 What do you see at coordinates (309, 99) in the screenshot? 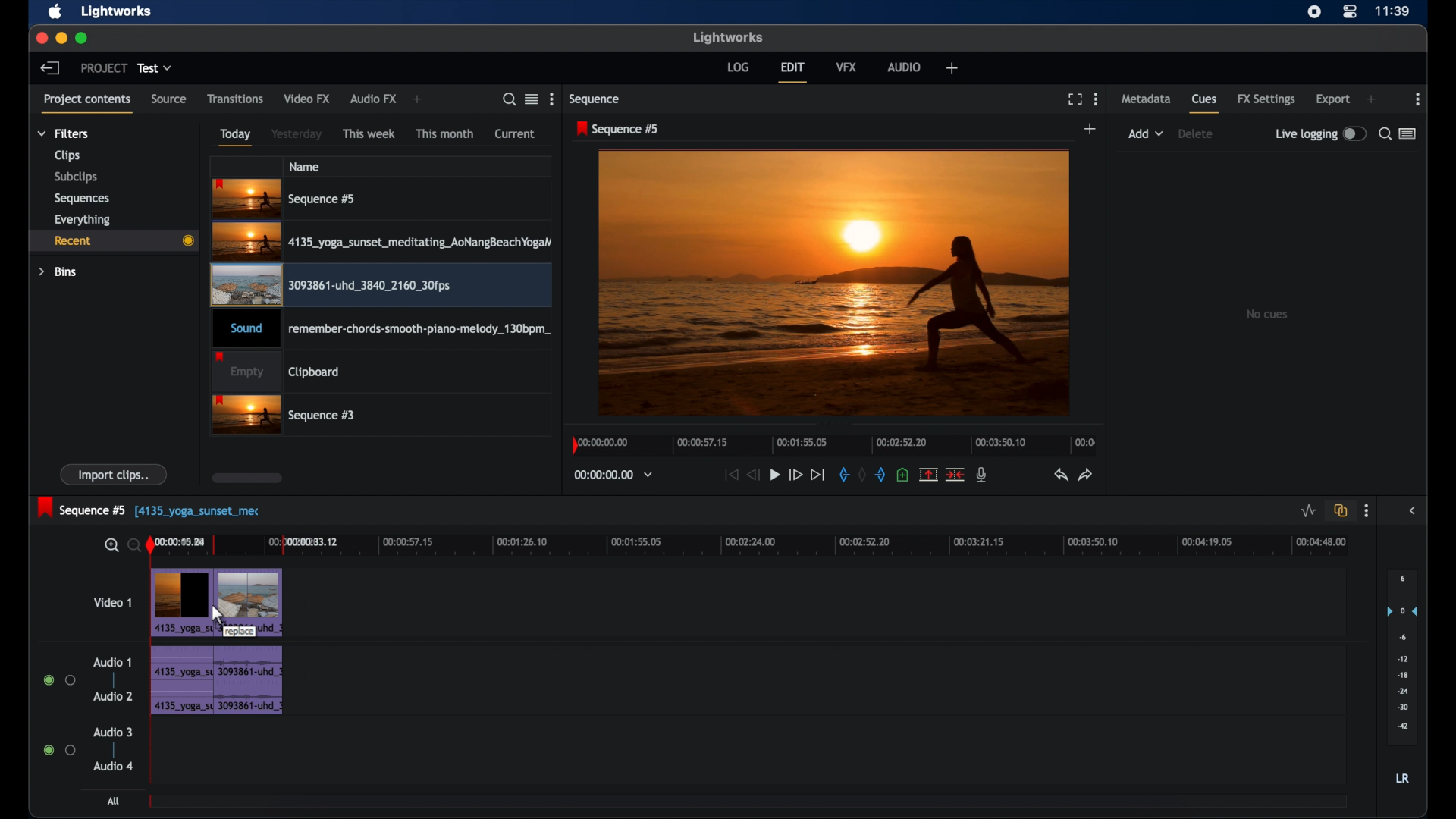
I see `video fx` at bounding box center [309, 99].